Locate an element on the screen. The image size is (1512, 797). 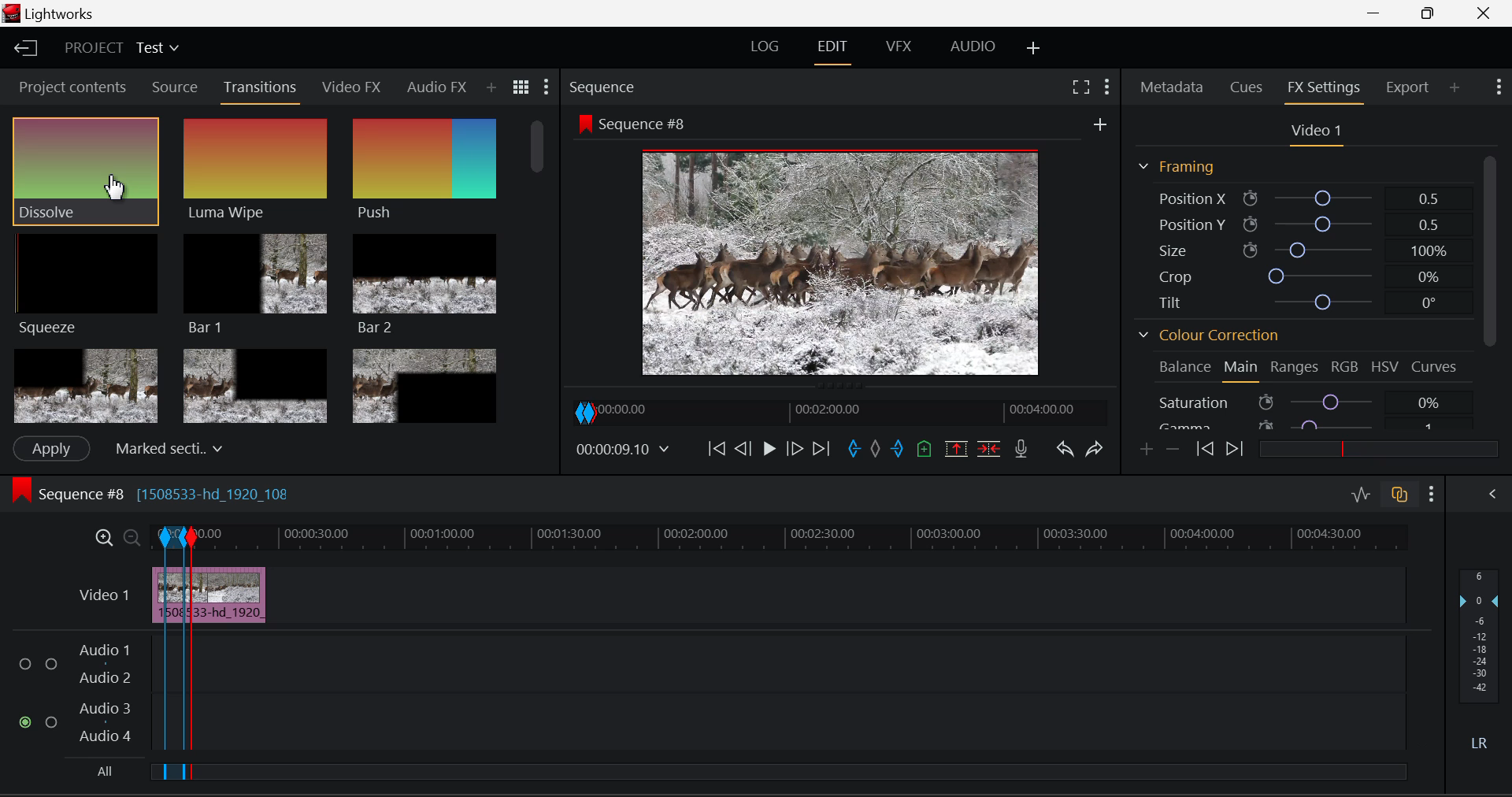
EDIT Layout Open is located at coordinates (832, 50).